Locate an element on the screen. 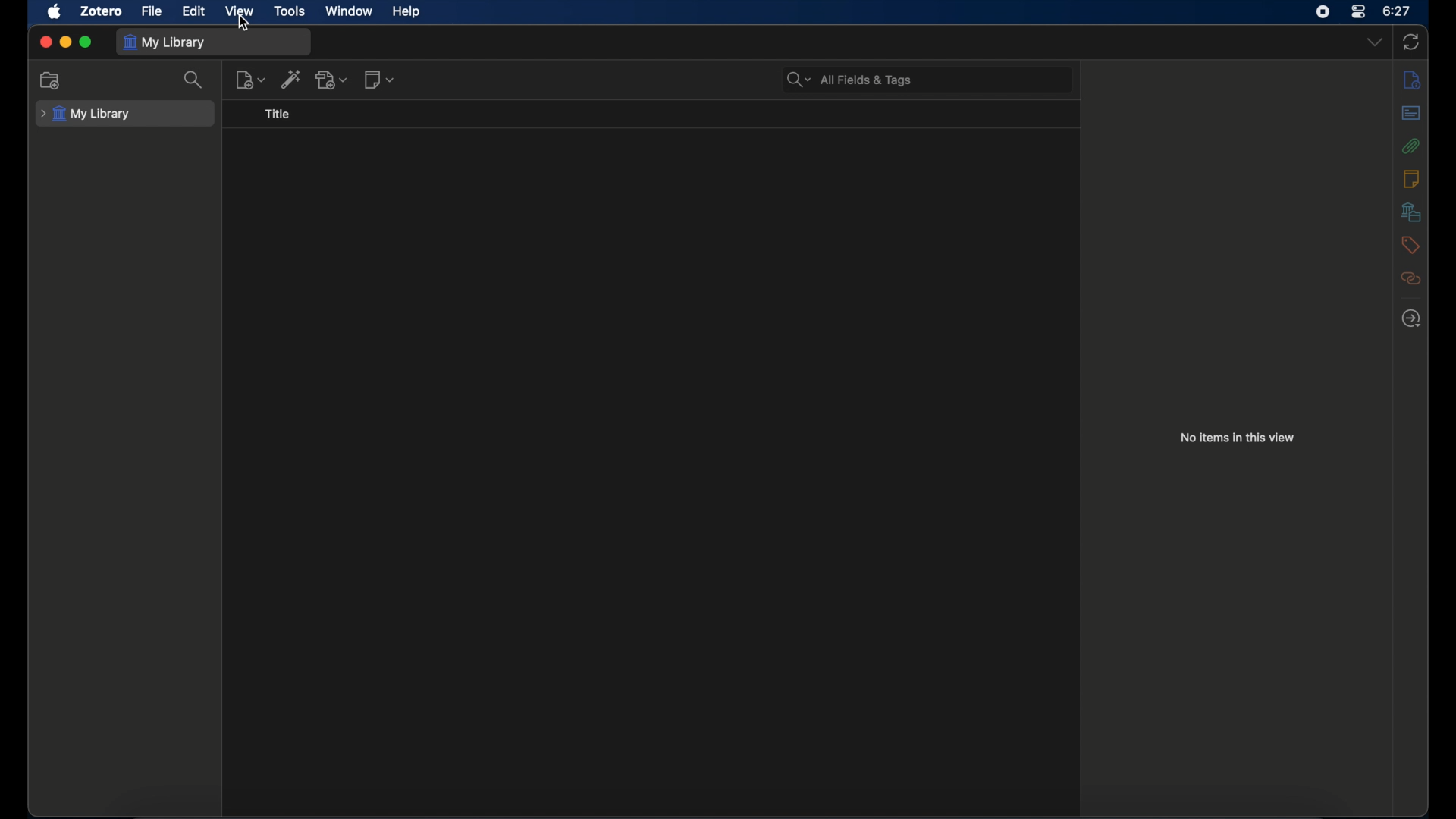 Image resolution: width=1456 pixels, height=819 pixels. add item by identifier is located at coordinates (291, 79).